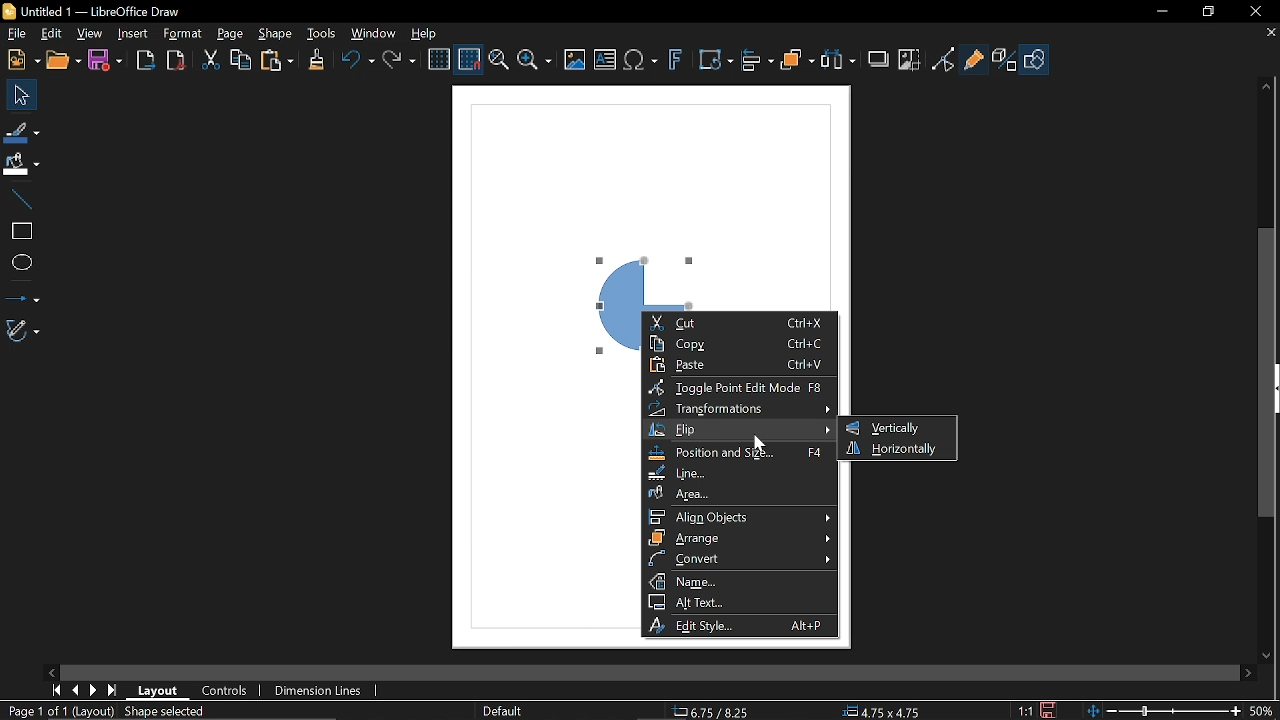  I want to click on Help, so click(430, 32).